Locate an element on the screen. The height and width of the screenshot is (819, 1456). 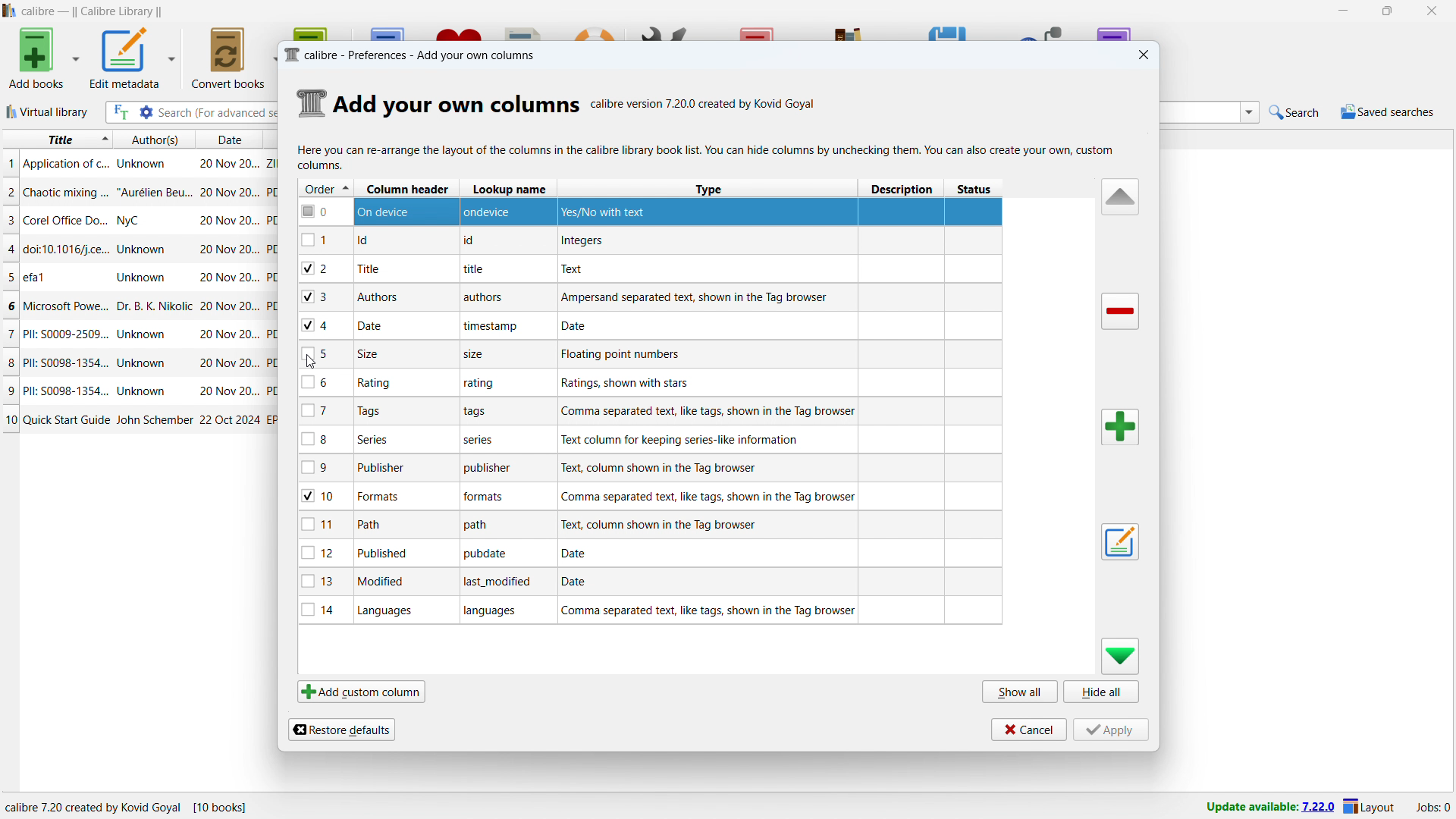
date is located at coordinates (227, 162).